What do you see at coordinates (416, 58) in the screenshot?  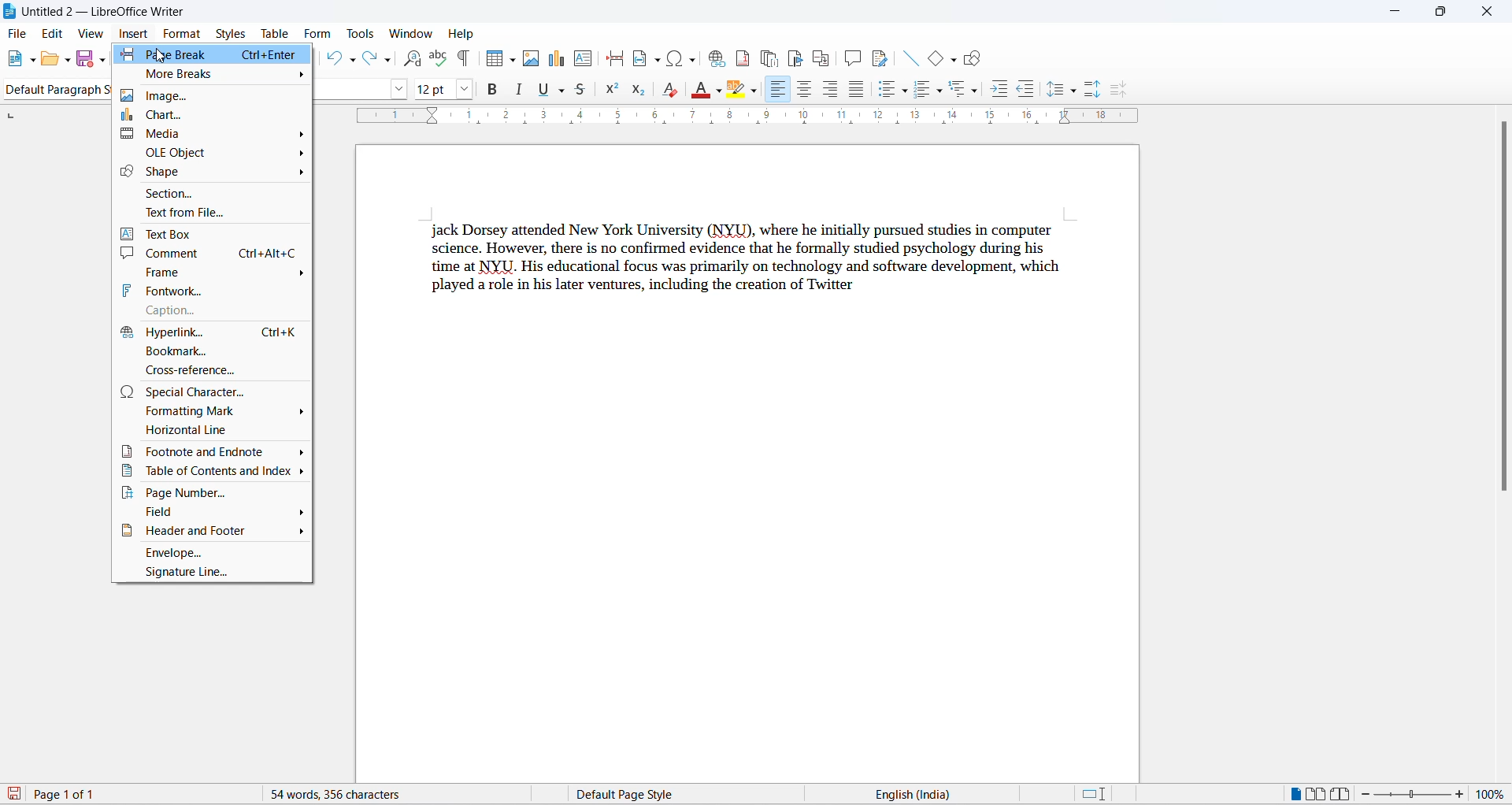 I see `find and replace` at bounding box center [416, 58].